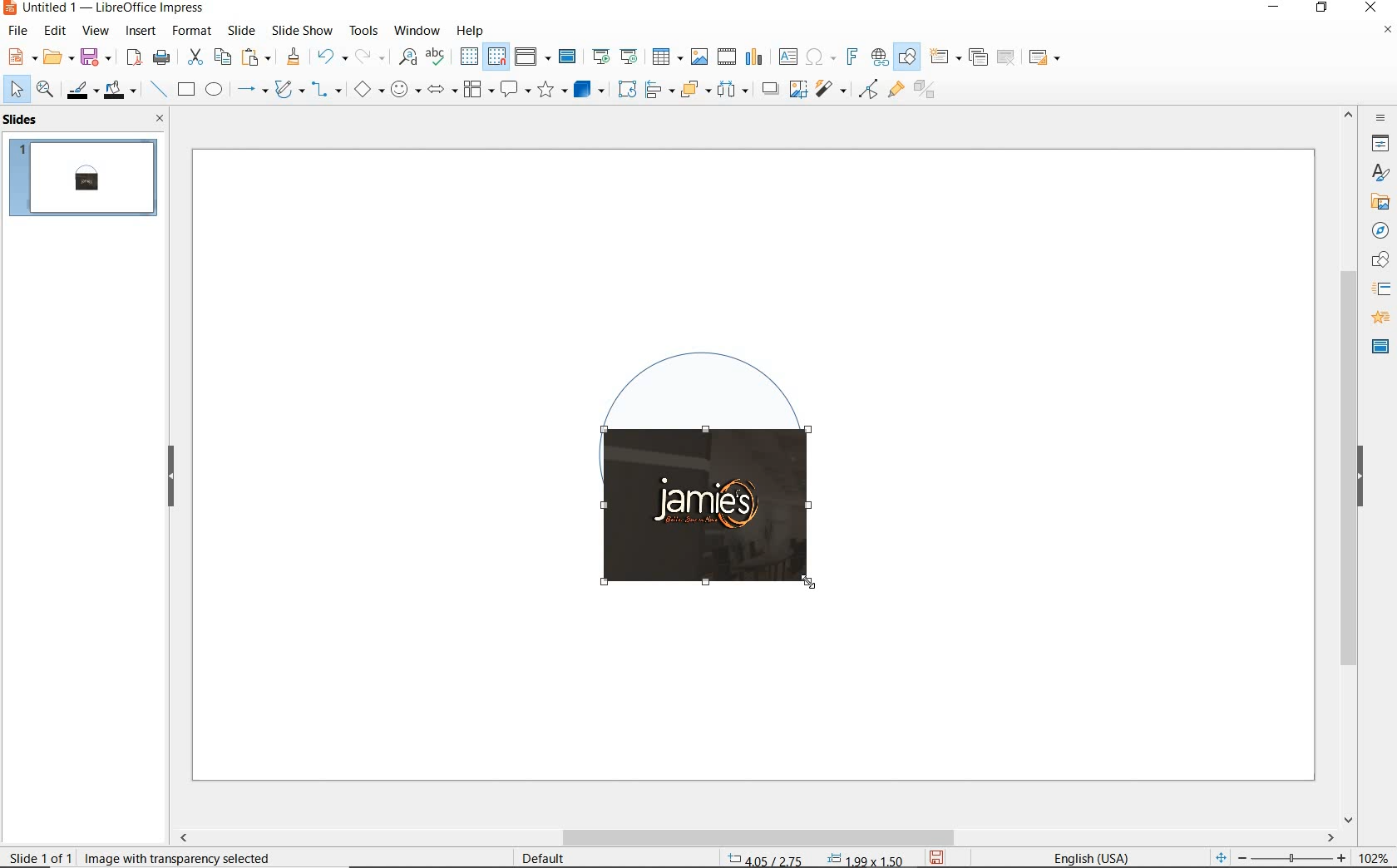 The image size is (1397, 868). I want to click on sidebar settings, so click(1379, 118).